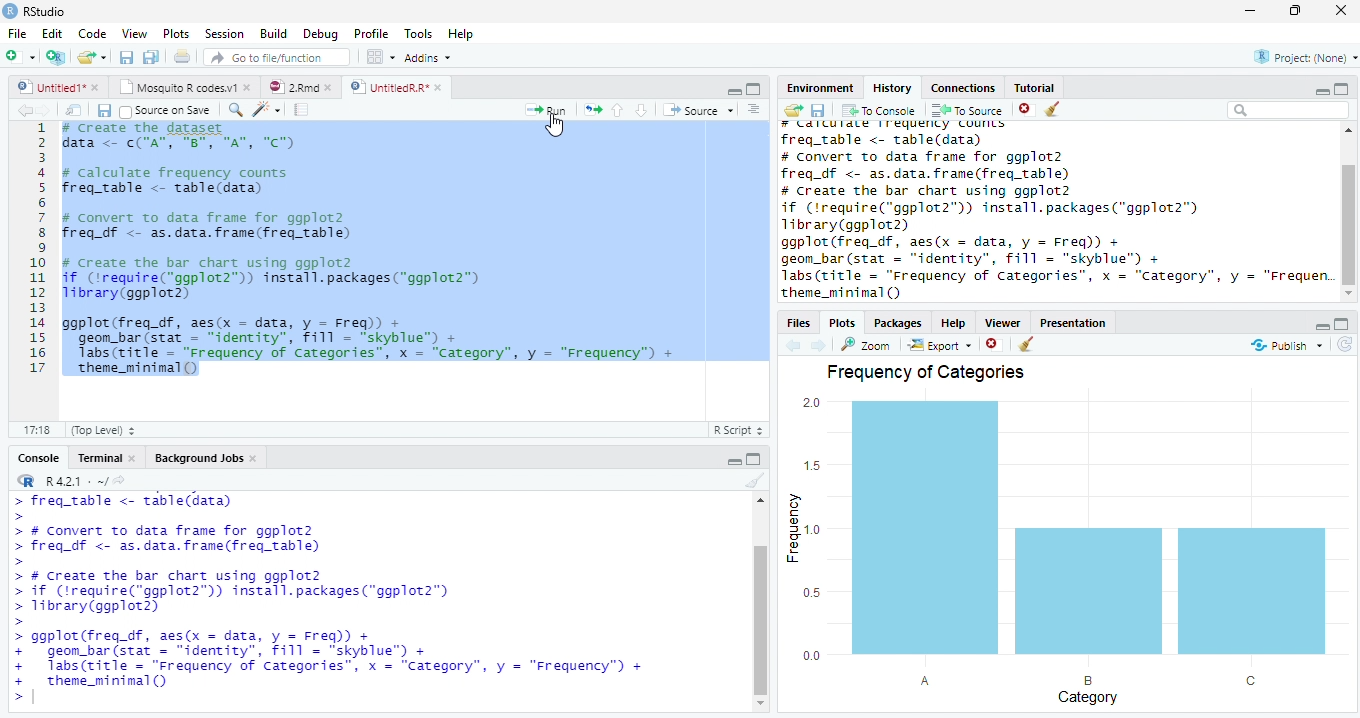 Image resolution: width=1360 pixels, height=718 pixels. Describe the element at coordinates (301, 110) in the screenshot. I see `Pages` at that location.